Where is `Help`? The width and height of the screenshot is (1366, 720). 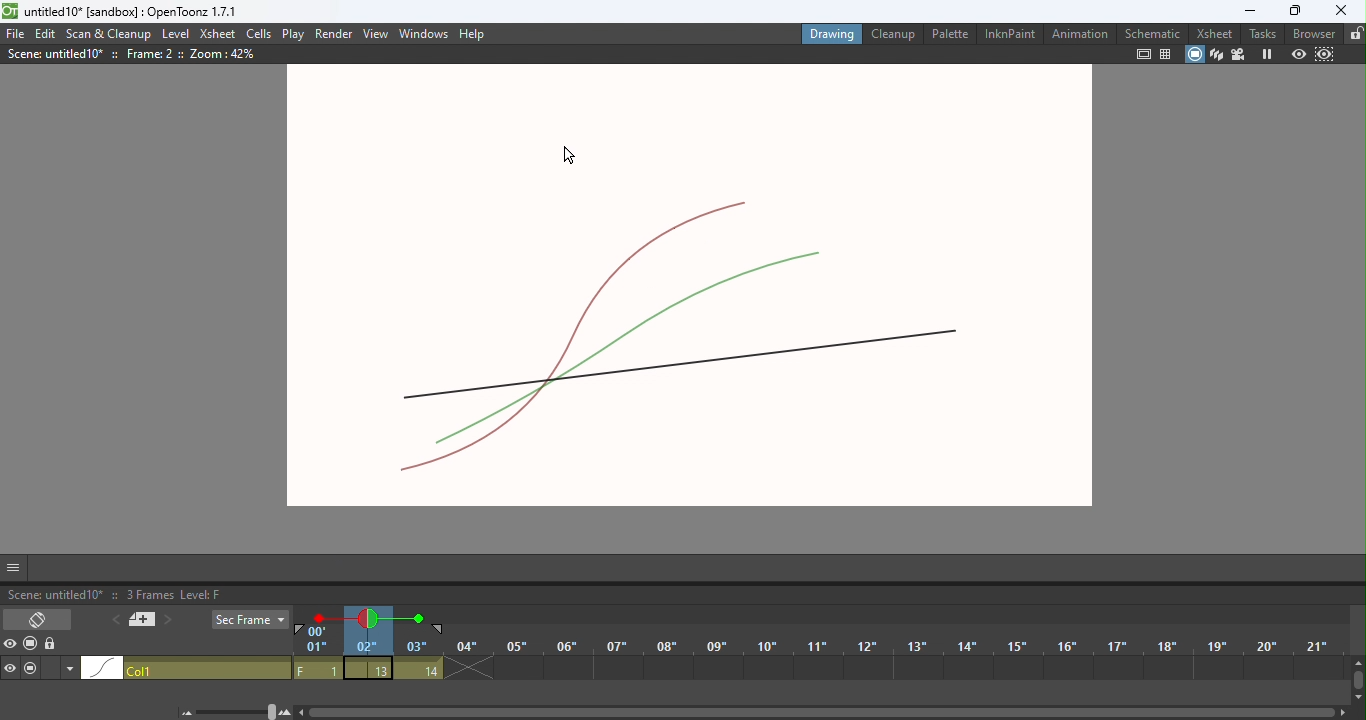
Help is located at coordinates (480, 31).